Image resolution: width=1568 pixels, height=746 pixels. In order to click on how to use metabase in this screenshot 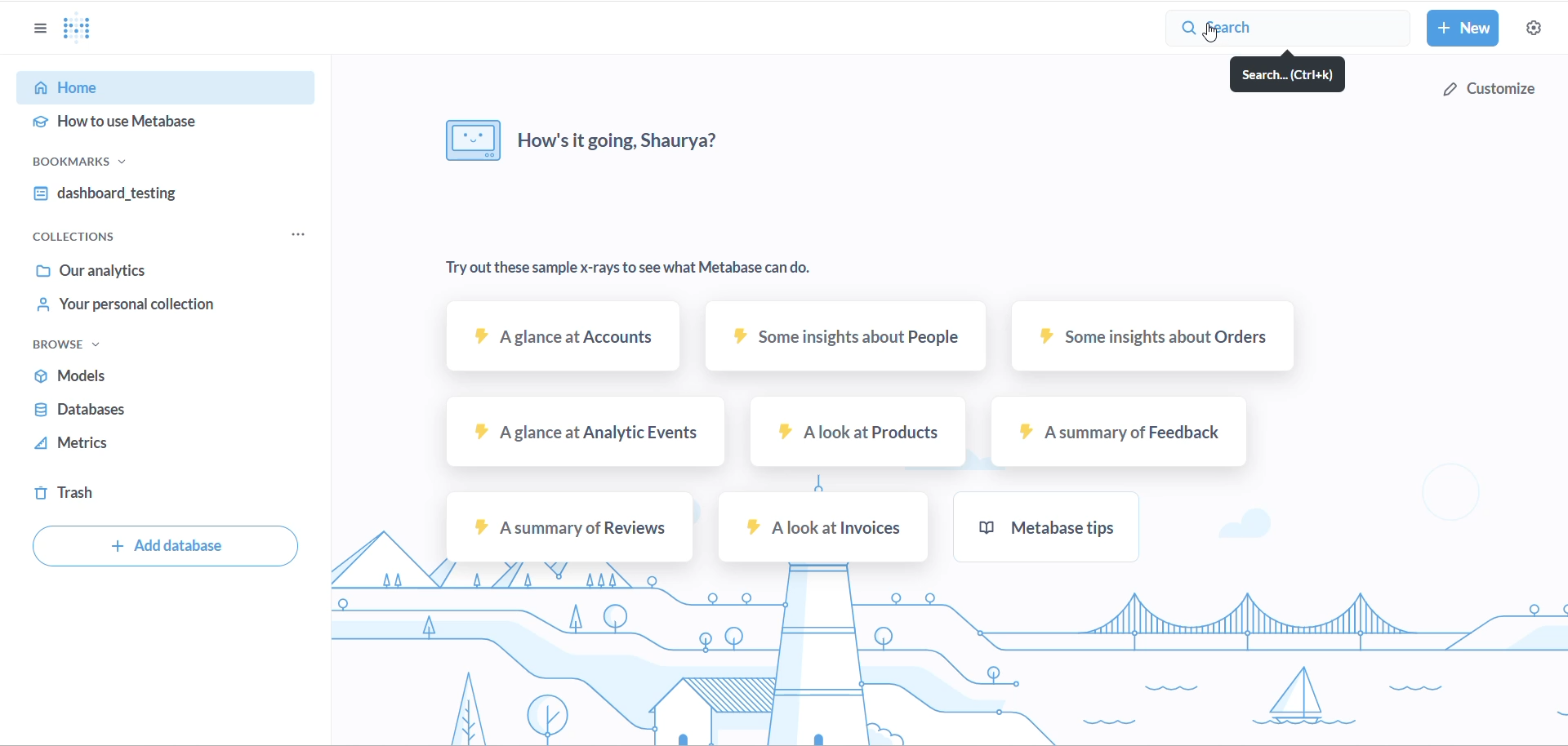, I will do `click(167, 123)`.